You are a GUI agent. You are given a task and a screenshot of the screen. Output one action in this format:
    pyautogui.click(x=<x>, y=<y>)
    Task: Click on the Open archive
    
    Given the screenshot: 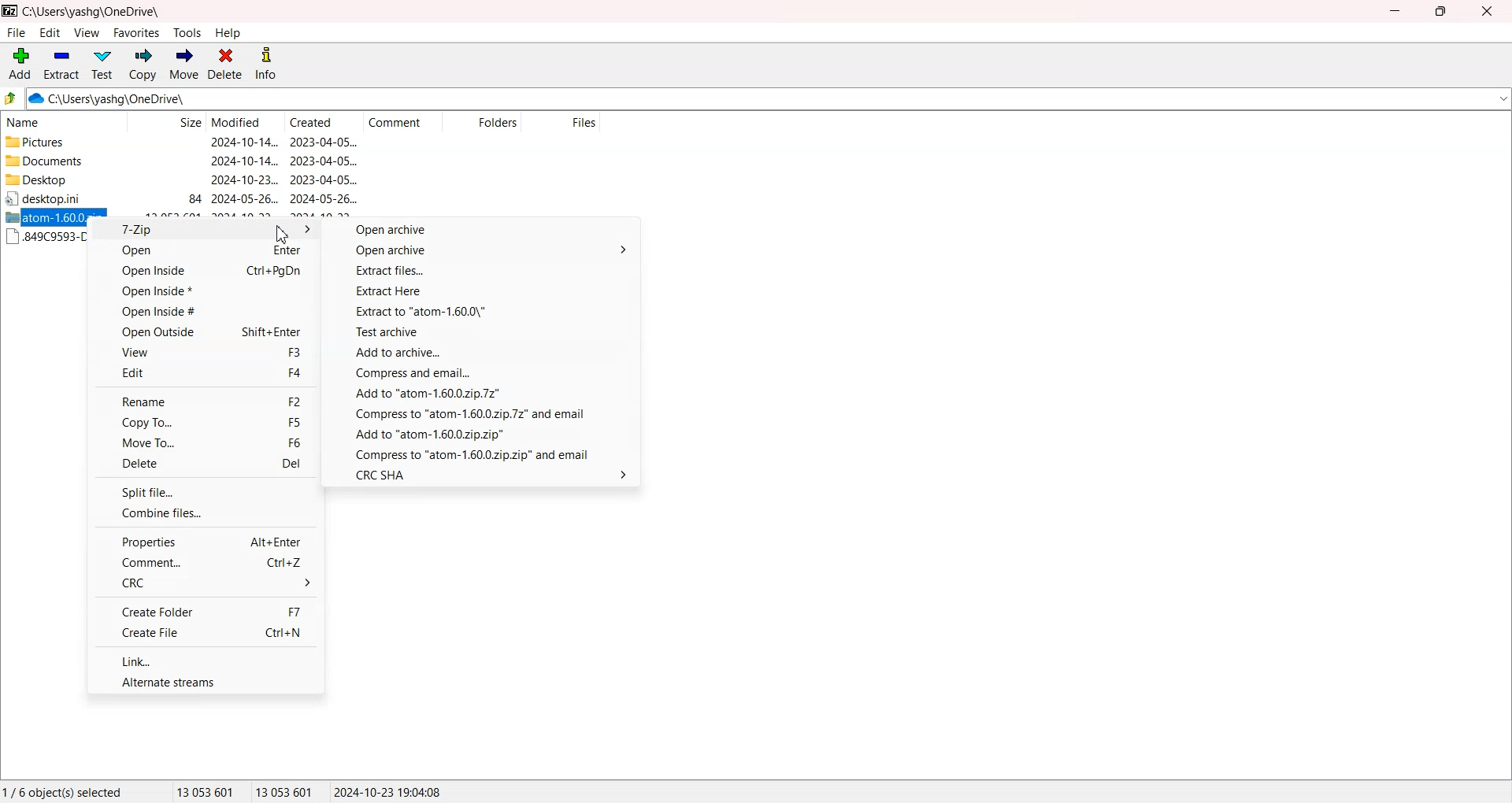 What is the action you would take?
    pyautogui.click(x=486, y=230)
    